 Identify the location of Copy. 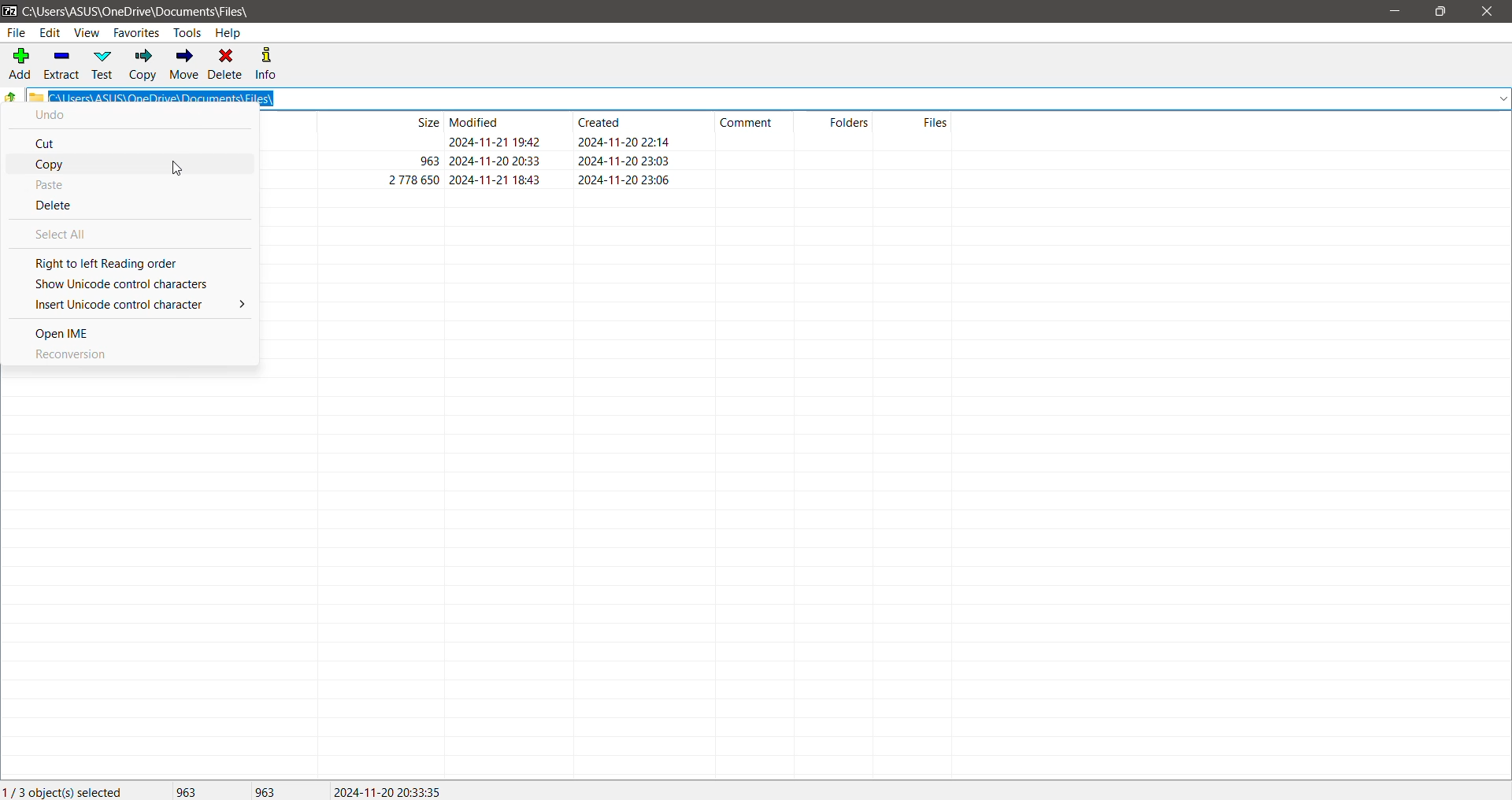
(140, 65).